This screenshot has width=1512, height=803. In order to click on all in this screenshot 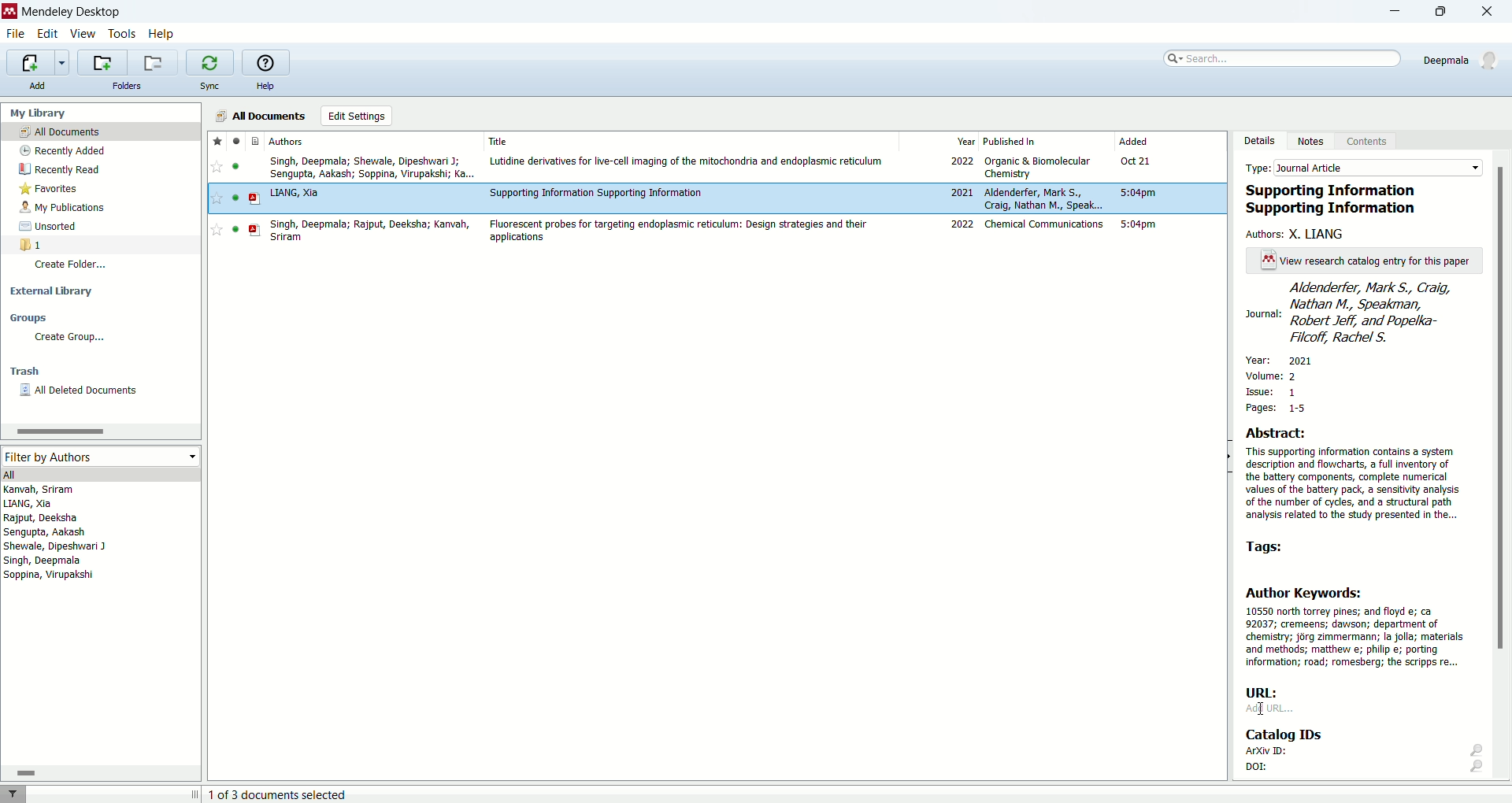, I will do `click(98, 473)`.